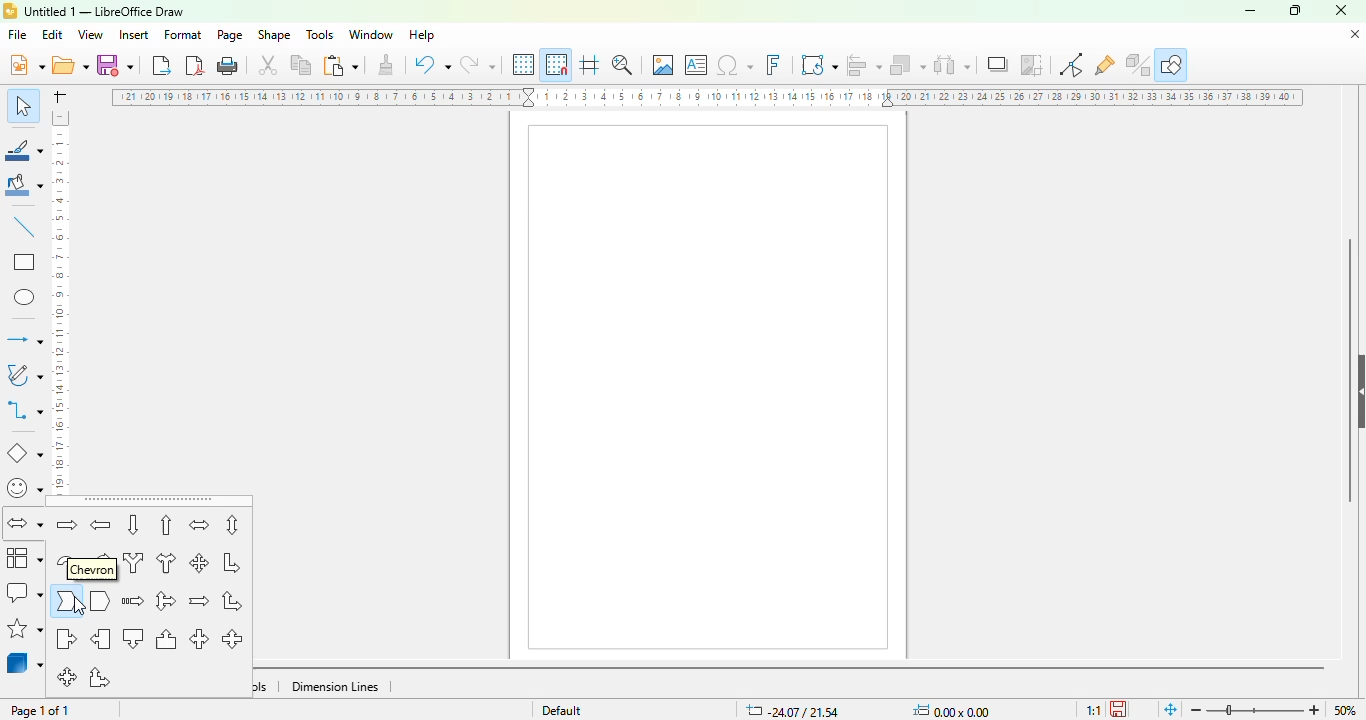 This screenshot has width=1366, height=720. I want to click on chevron, so click(91, 568).